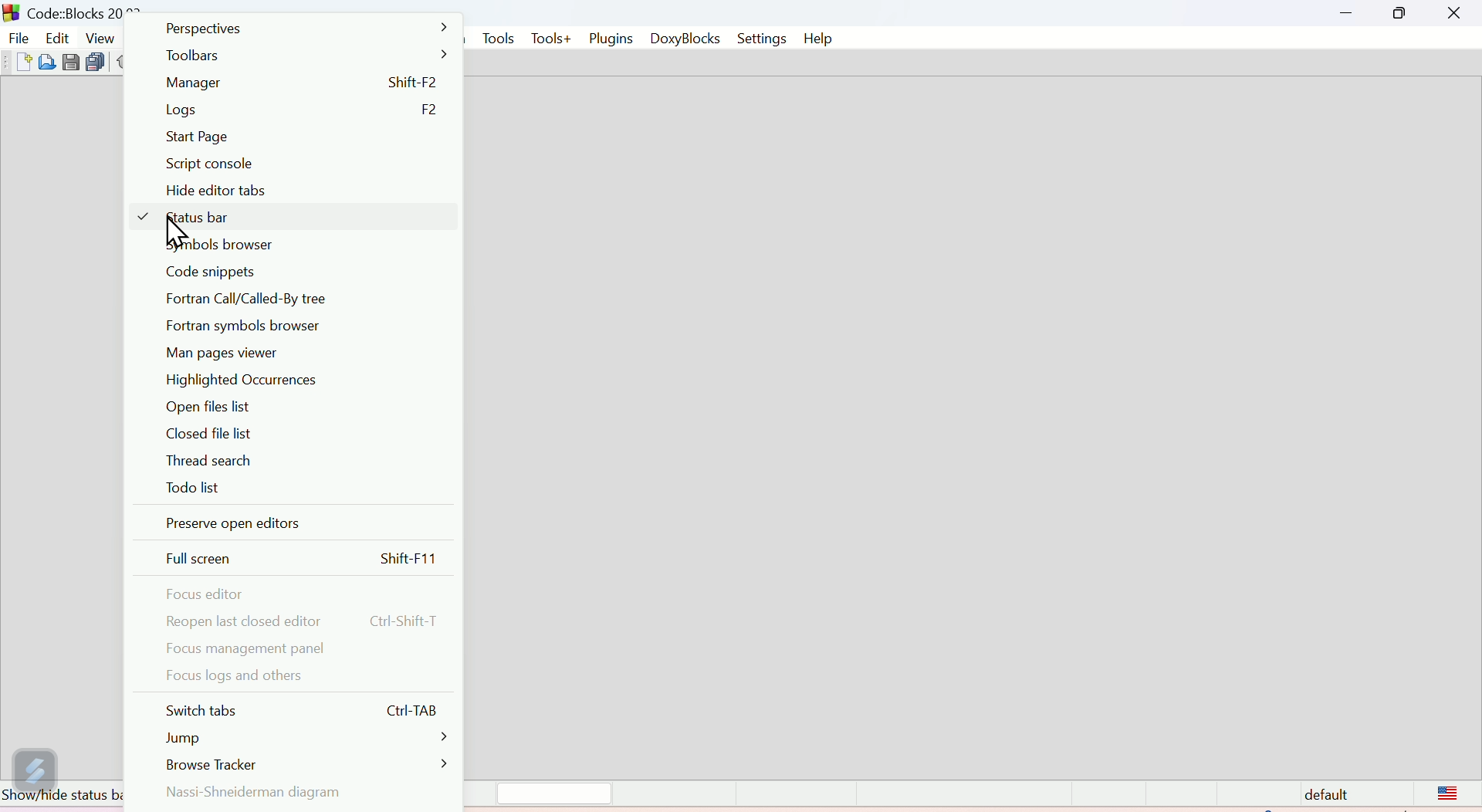  What do you see at coordinates (1450, 14) in the screenshot?
I see `Close` at bounding box center [1450, 14].